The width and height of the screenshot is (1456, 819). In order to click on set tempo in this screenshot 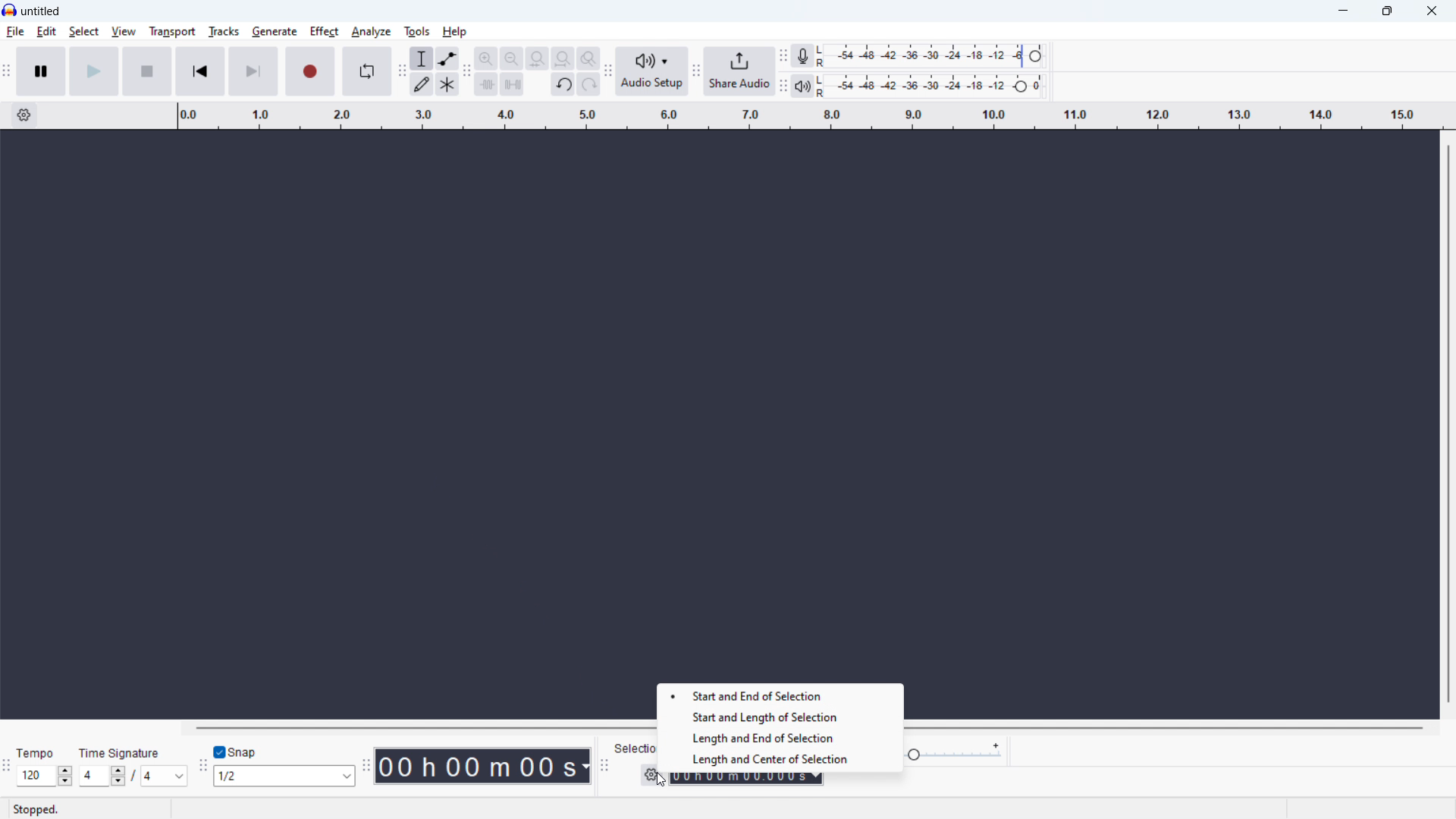, I will do `click(45, 776)`.